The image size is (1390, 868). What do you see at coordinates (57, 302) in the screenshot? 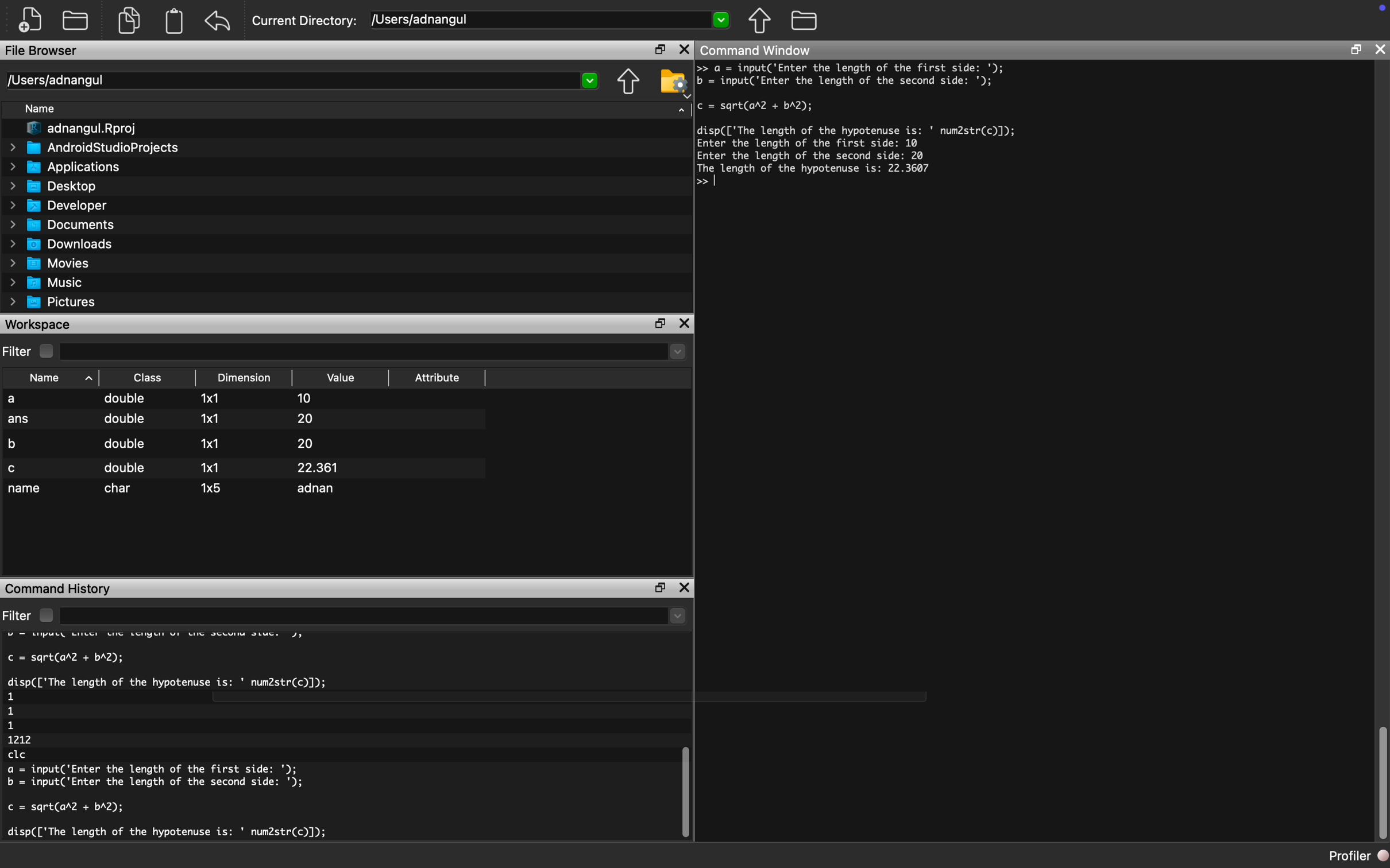
I see ` Pictures` at bounding box center [57, 302].